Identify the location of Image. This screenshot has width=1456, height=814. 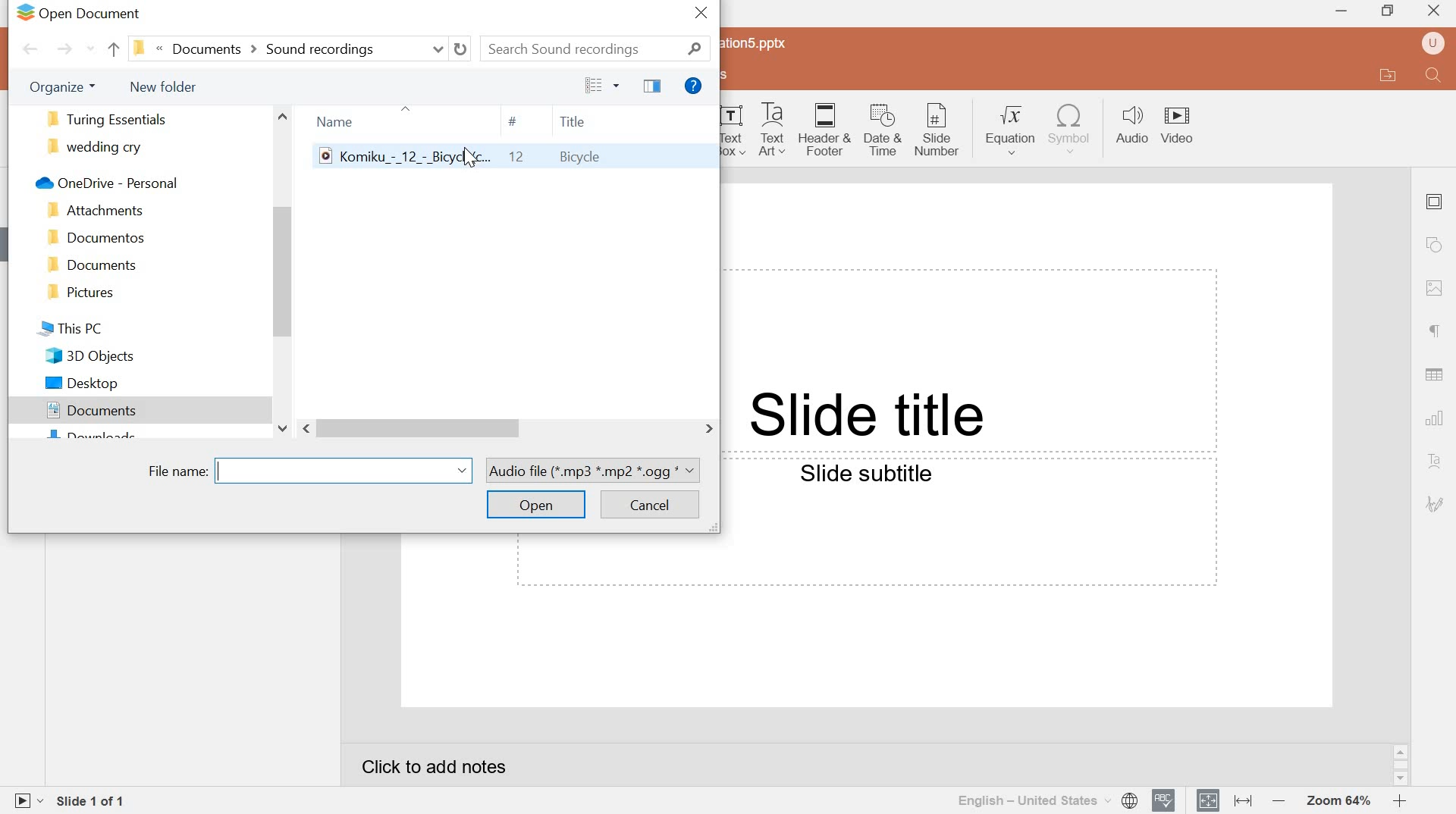
(1436, 288).